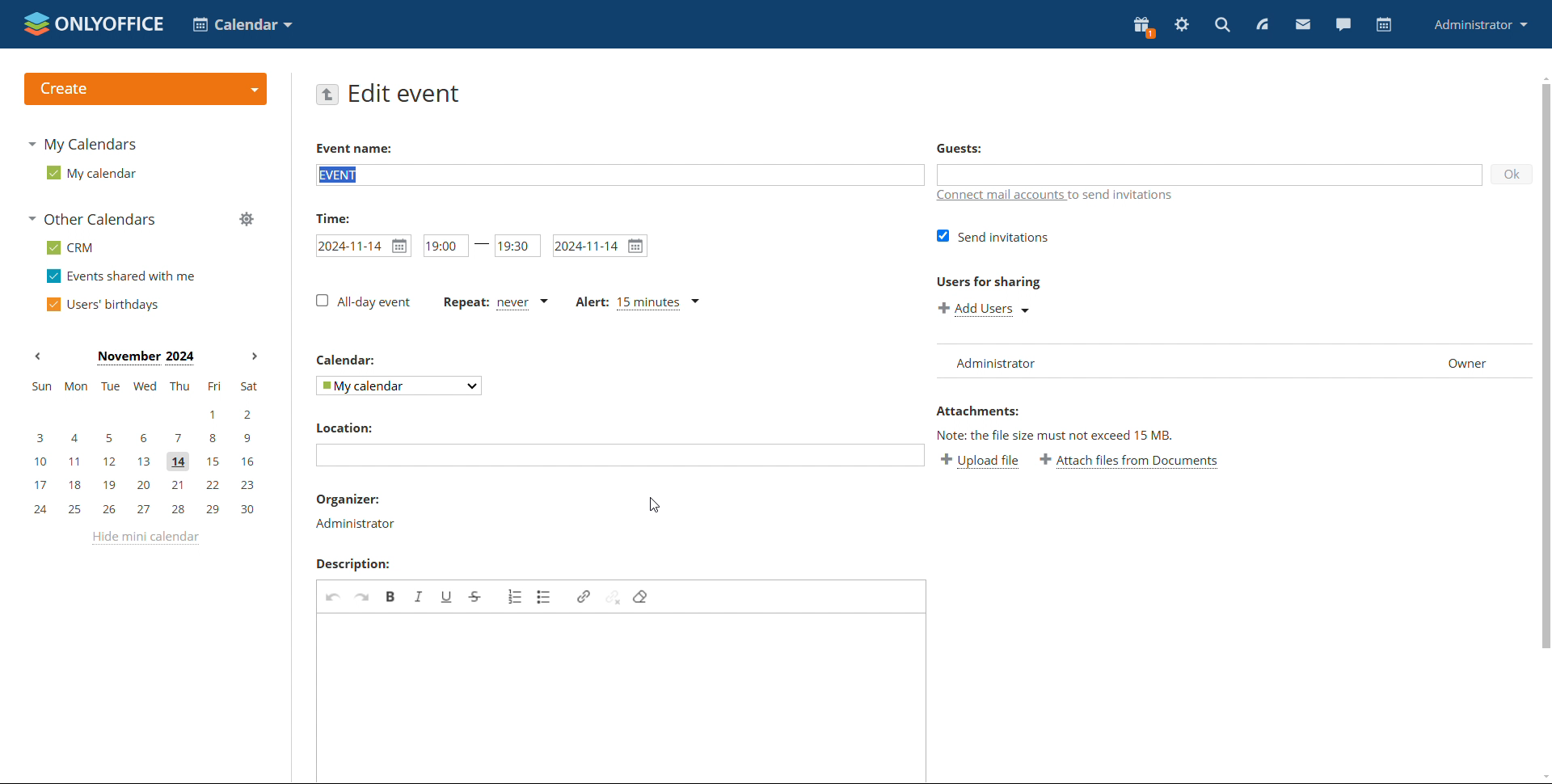 This screenshot has width=1552, height=784. Describe the element at coordinates (1303, 25) in the screenshot. I see `mail` at that location.